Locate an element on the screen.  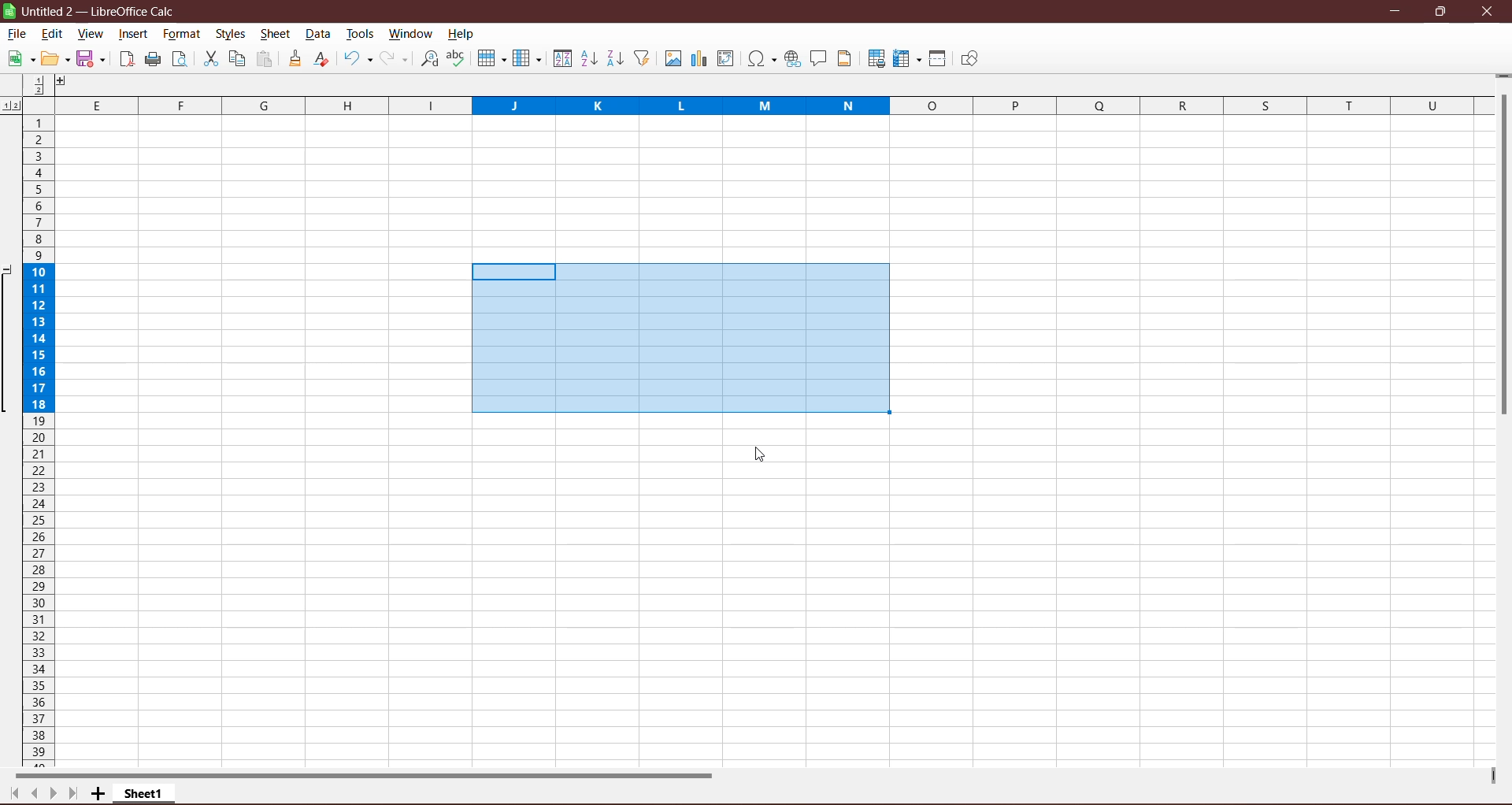
View is located at coordinates (89, 35).